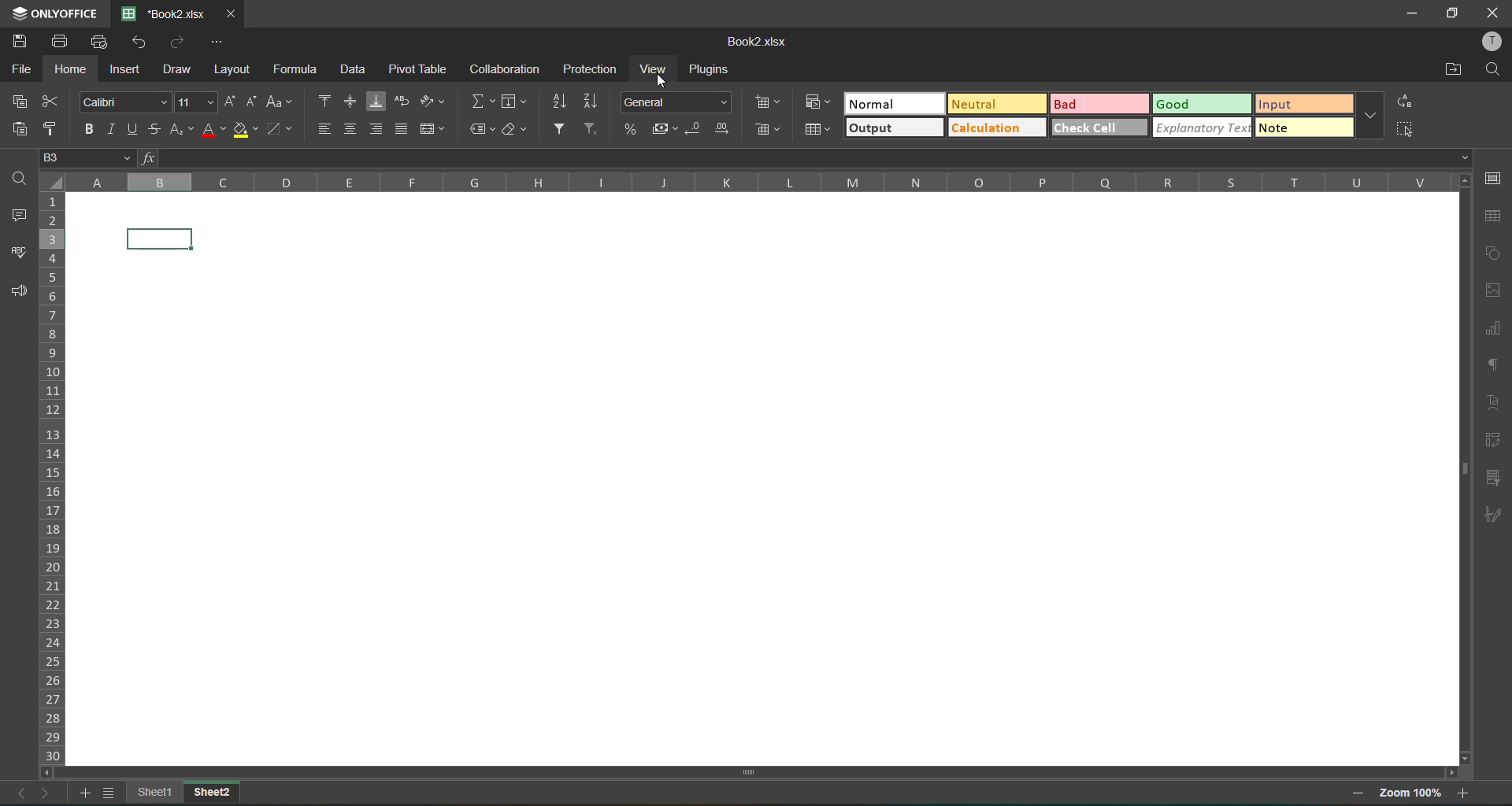  Describe the element at coordinates (358, 71) in the screenshot. I see `data` at that location.